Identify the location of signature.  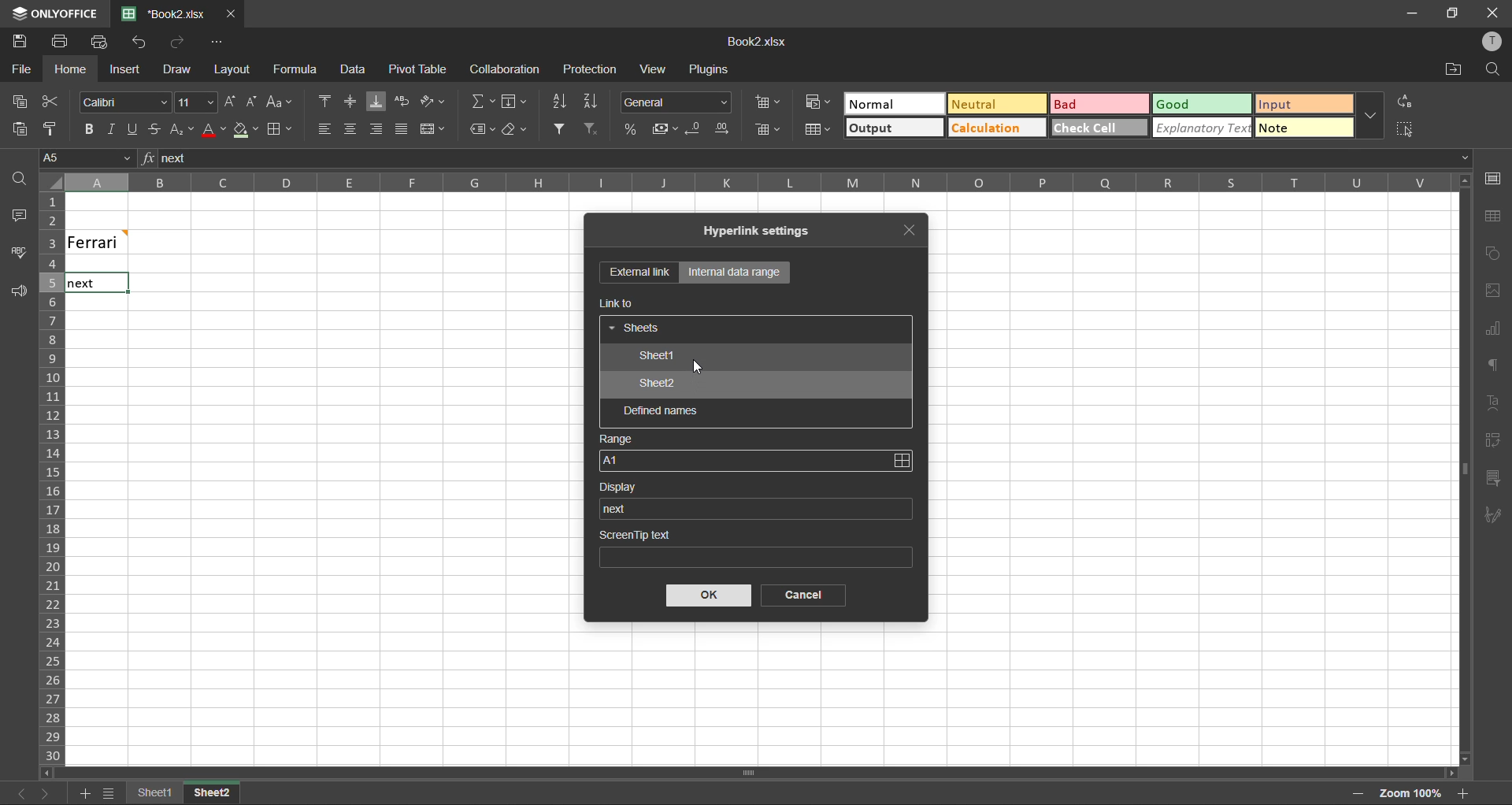
(1490, 518).